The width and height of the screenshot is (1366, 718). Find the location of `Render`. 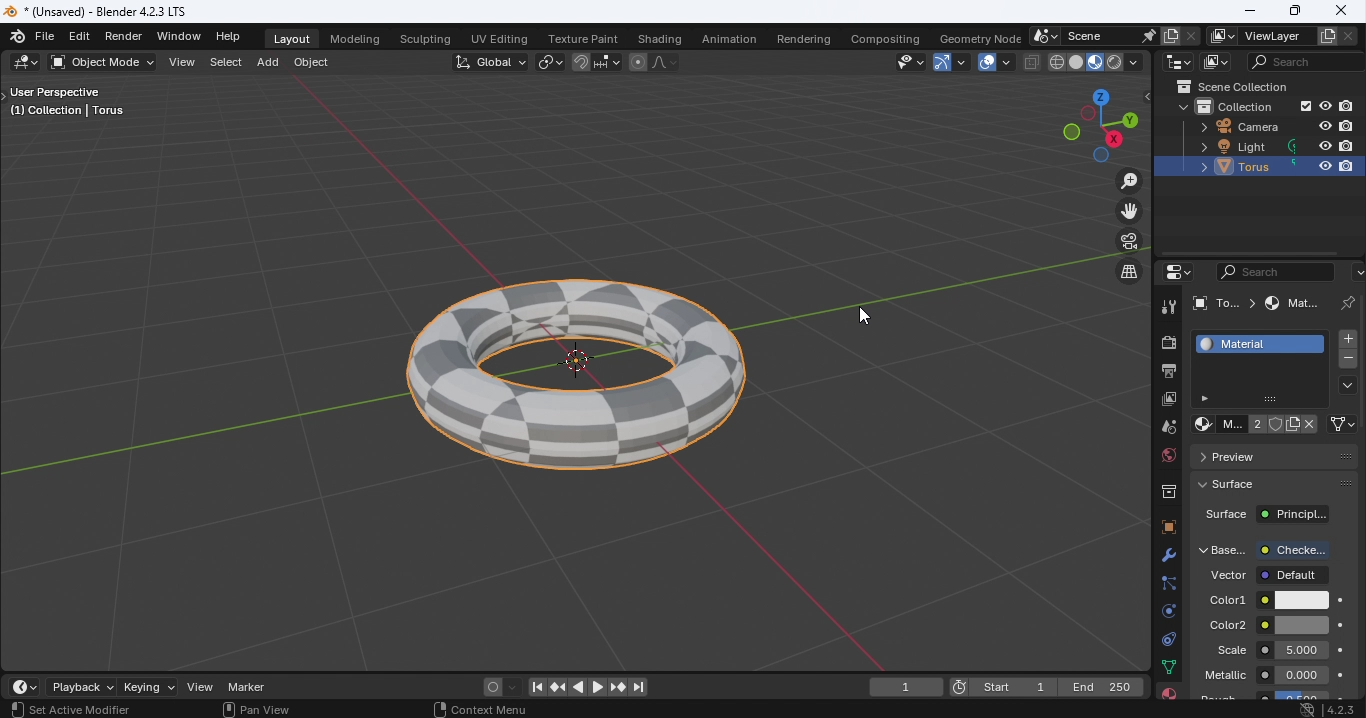

Render is located at coordinates (1164, 343).